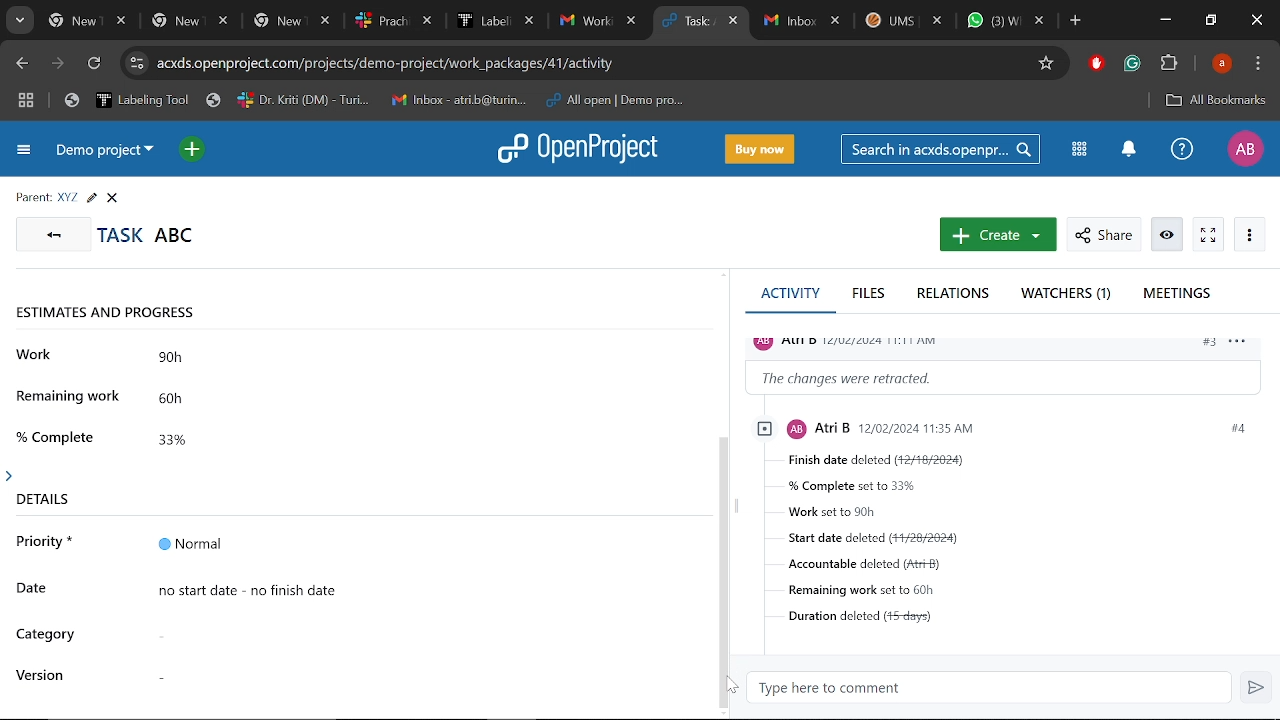 Image resolution: width=1280 pixels, height=720 pixels. I want to click on scrollbar, so click(726, 569).